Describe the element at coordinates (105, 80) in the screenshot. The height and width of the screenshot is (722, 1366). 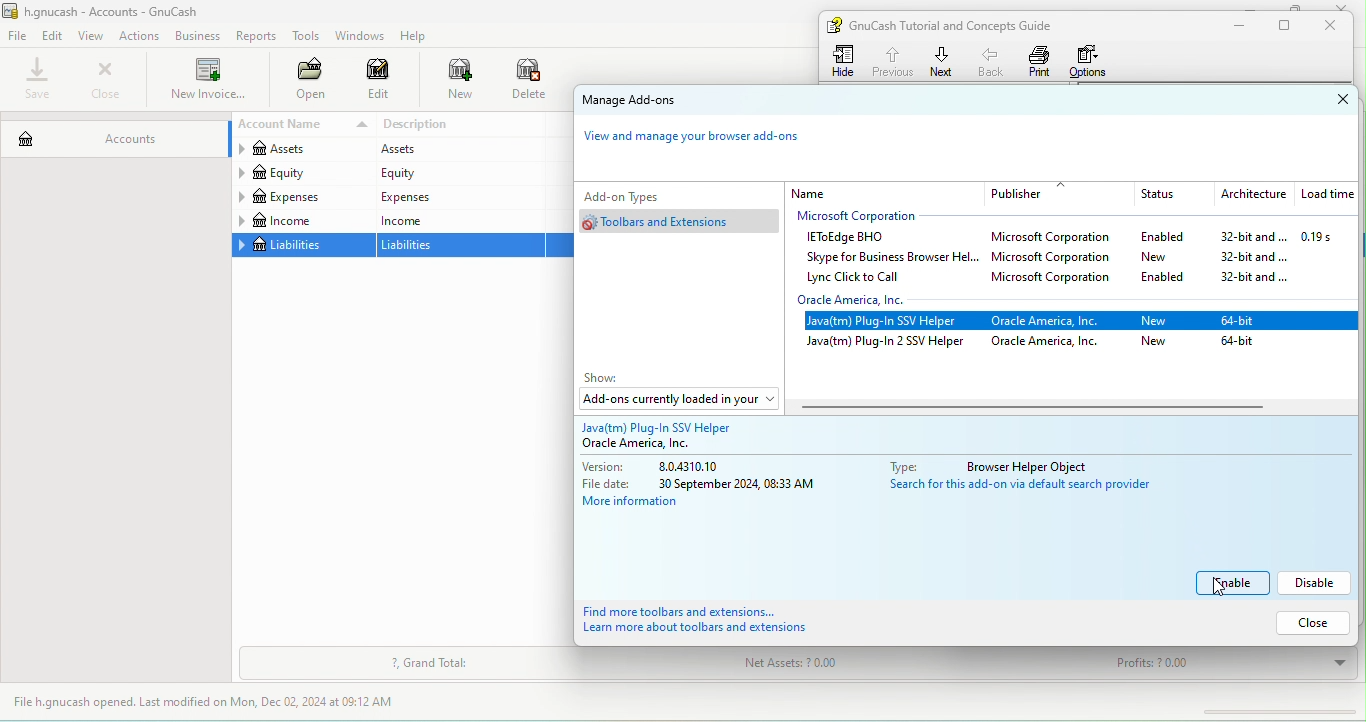
I see `close` at that location.